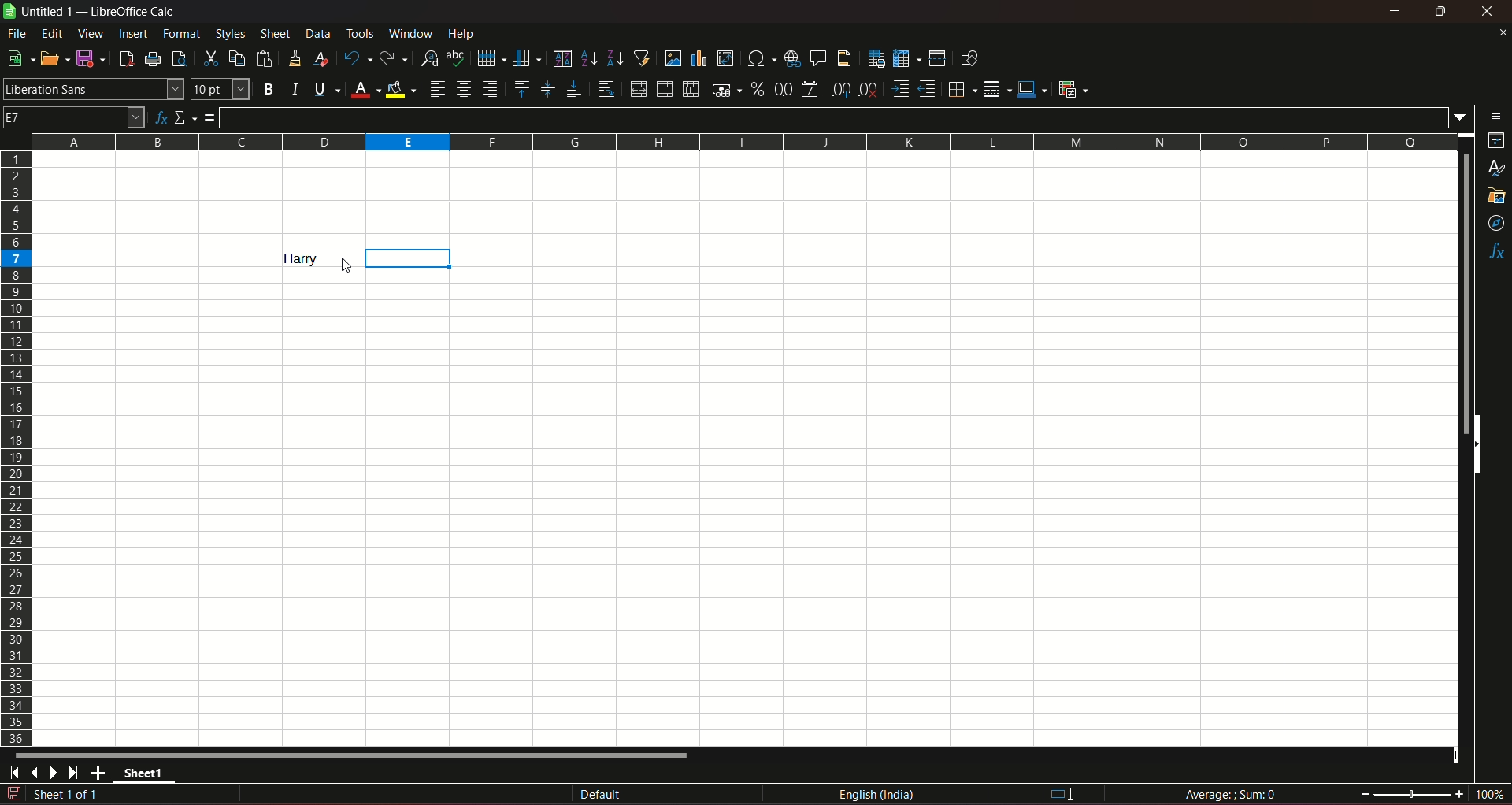 The width and height of the screenshot is (1512, 805). Describe the element at coordinates (1440, 12) in the screenshot. I see `minimize & maximize` at that location.